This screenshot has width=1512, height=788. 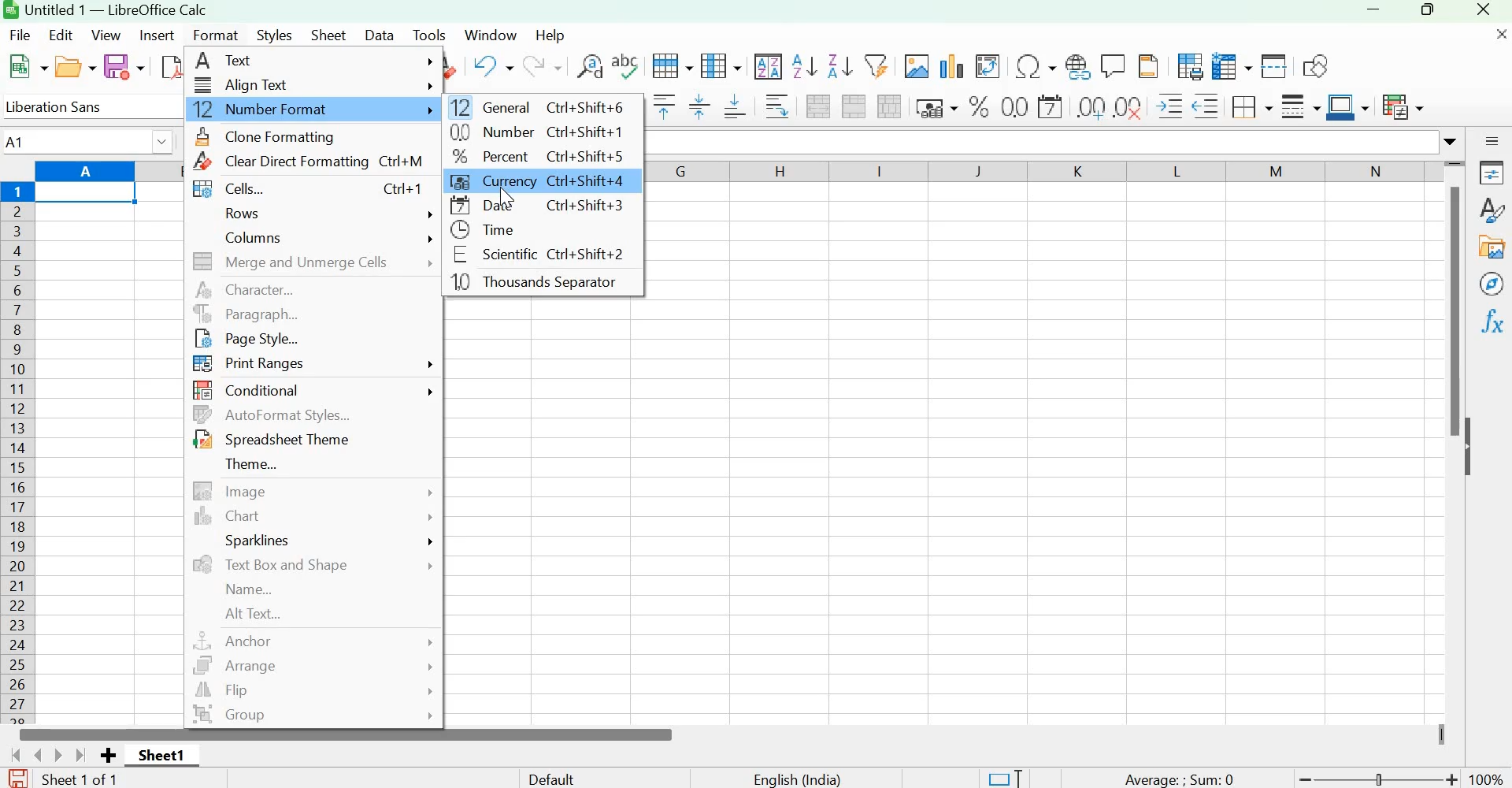 What do you see at coordinates (915, 65) in the screenshot?
I see `Insert image` at bounding box center [915, 65].